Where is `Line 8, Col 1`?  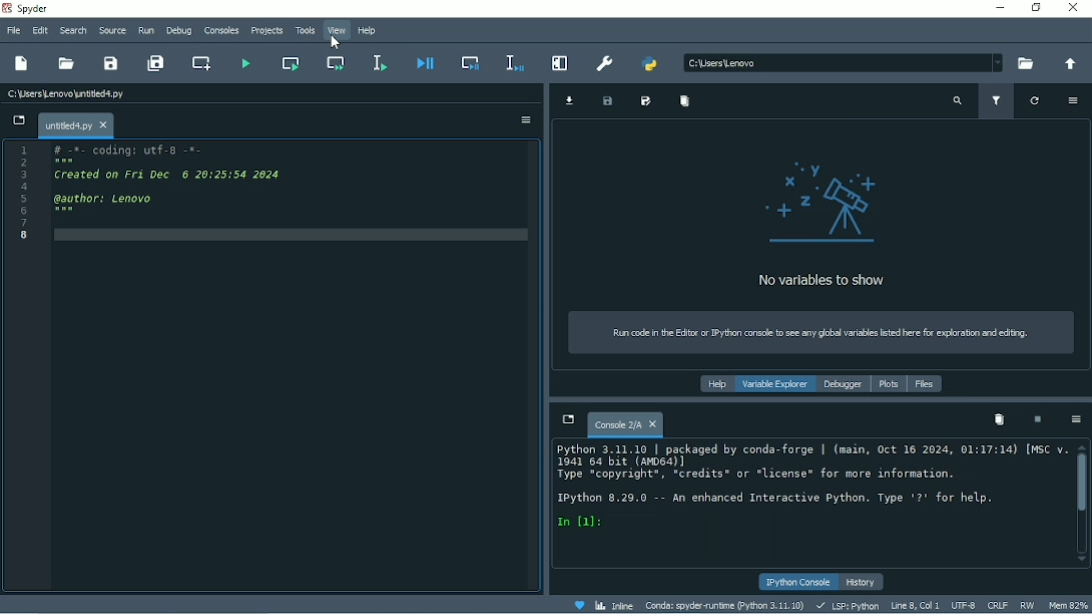 Line 8, Col 1 is located at coordinates (916, 604).